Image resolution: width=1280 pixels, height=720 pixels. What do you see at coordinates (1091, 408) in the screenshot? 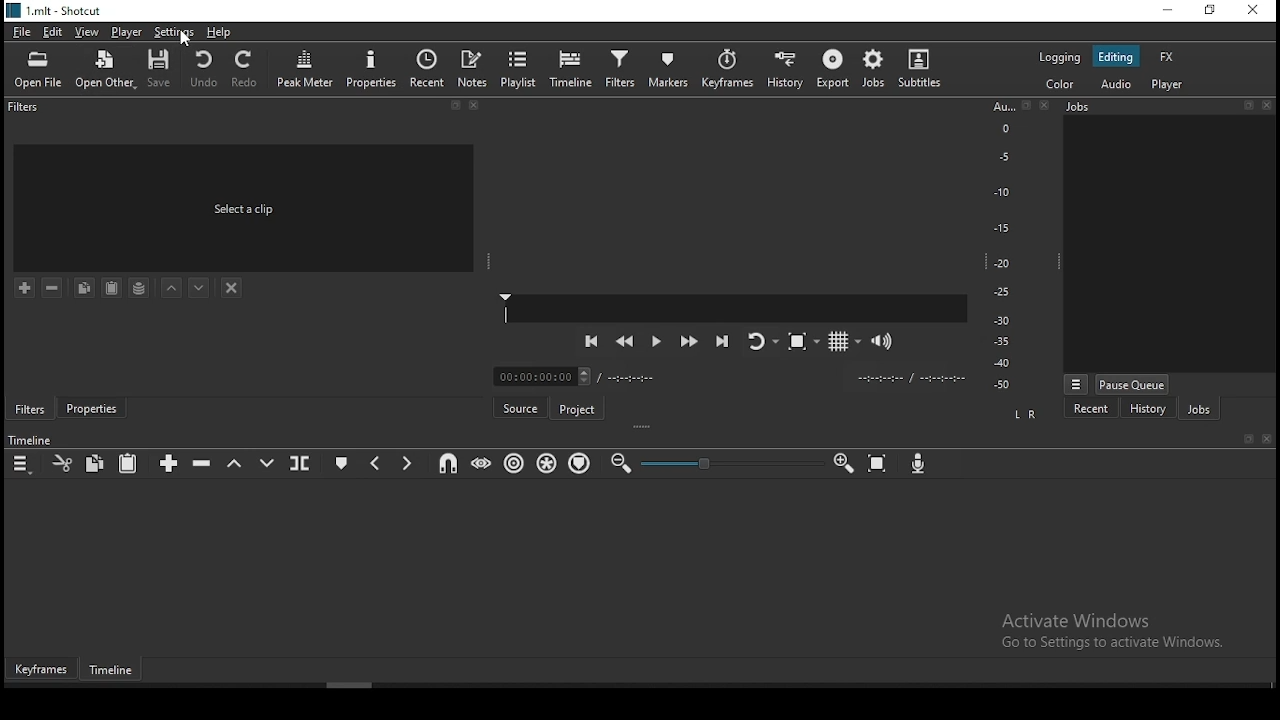
I see `recent` at bounding box center [1091, 408].